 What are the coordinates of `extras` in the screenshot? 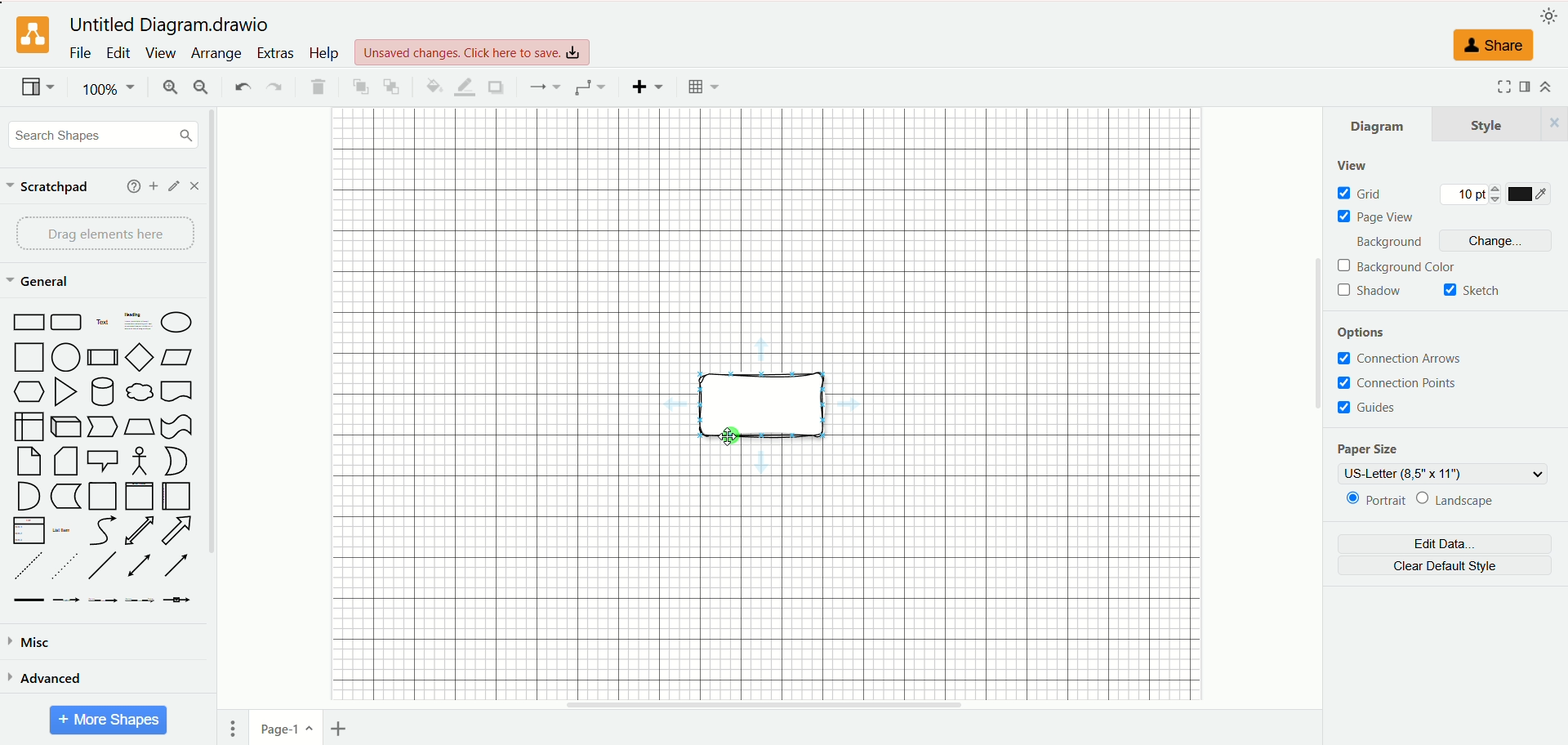 It's located at (277, 53).